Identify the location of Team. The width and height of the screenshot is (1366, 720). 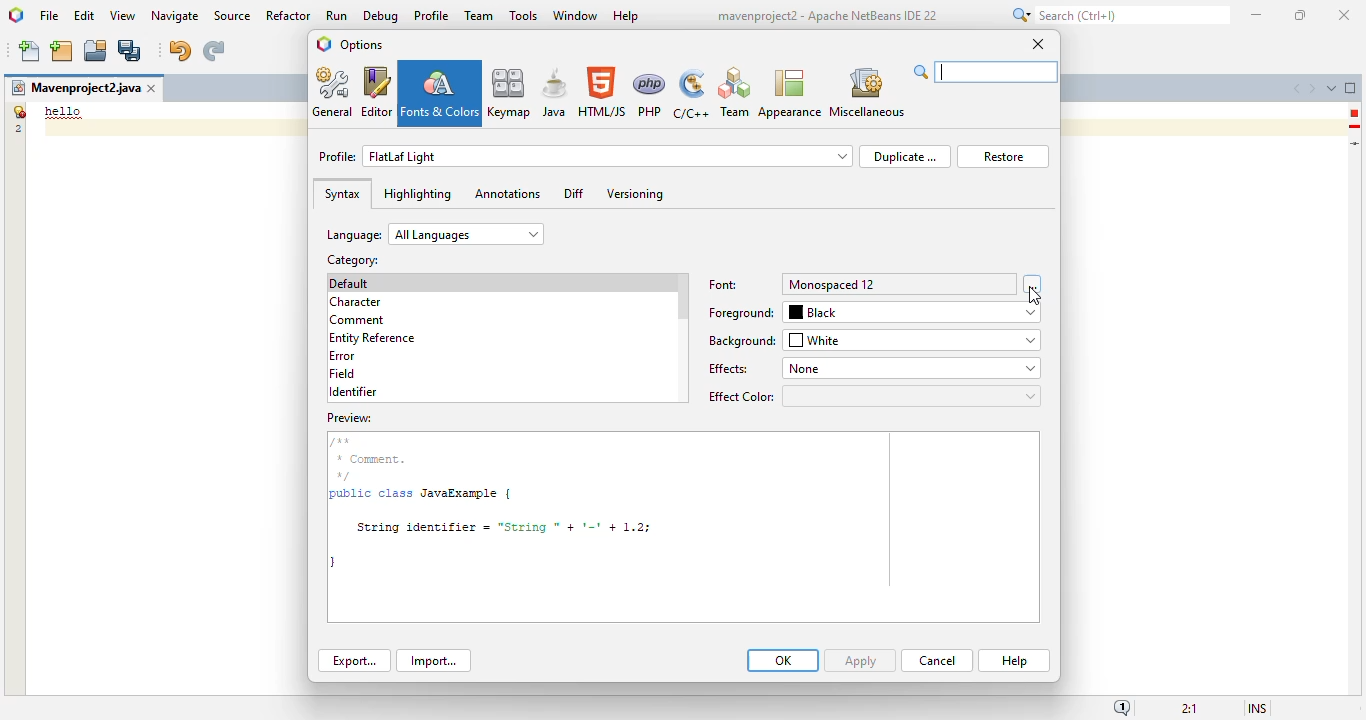
(734, 93).